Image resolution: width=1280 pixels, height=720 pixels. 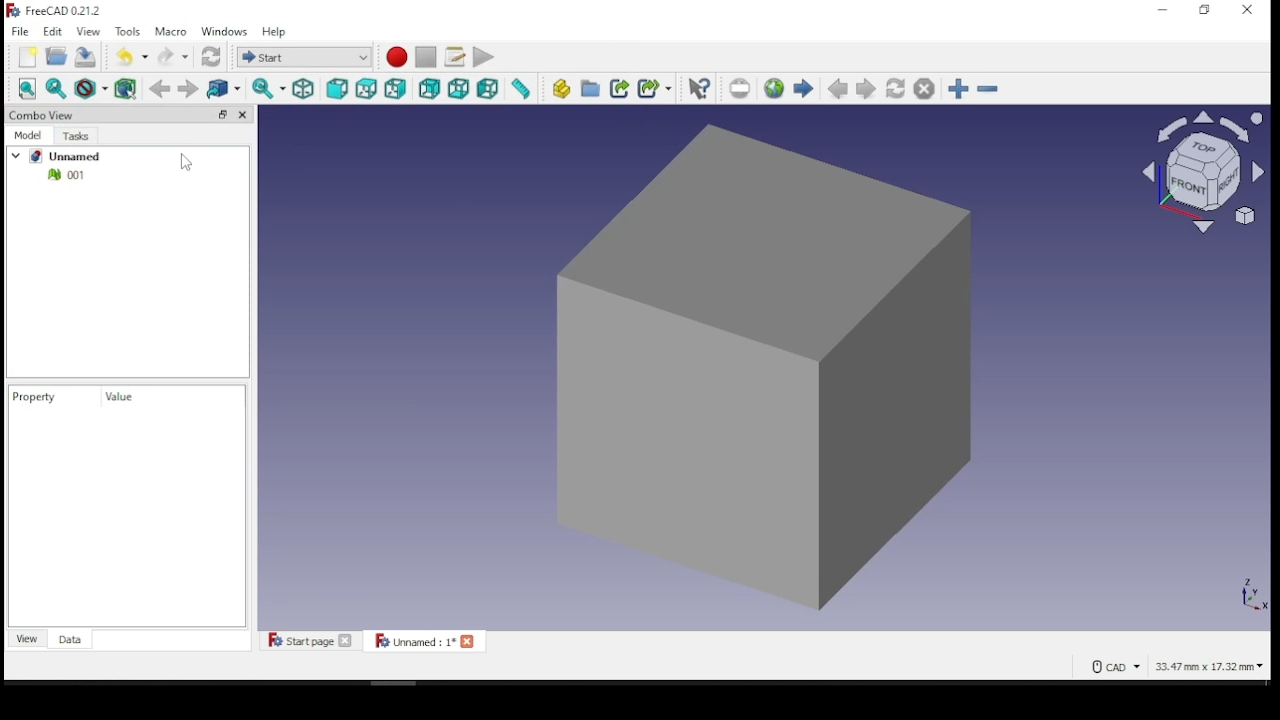 What do you see at coordinates (739, 88) in the screenshot?
I see `set URL` at bounding box center [739, 88].